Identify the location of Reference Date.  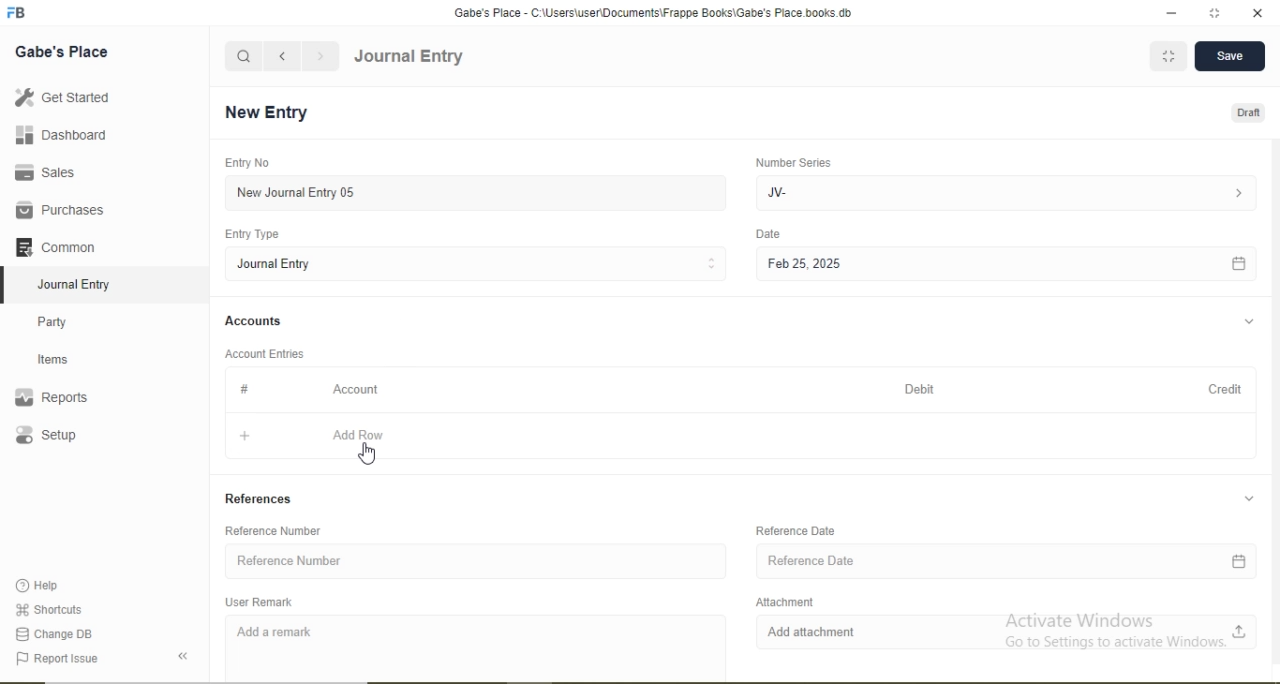
(1012, 562).